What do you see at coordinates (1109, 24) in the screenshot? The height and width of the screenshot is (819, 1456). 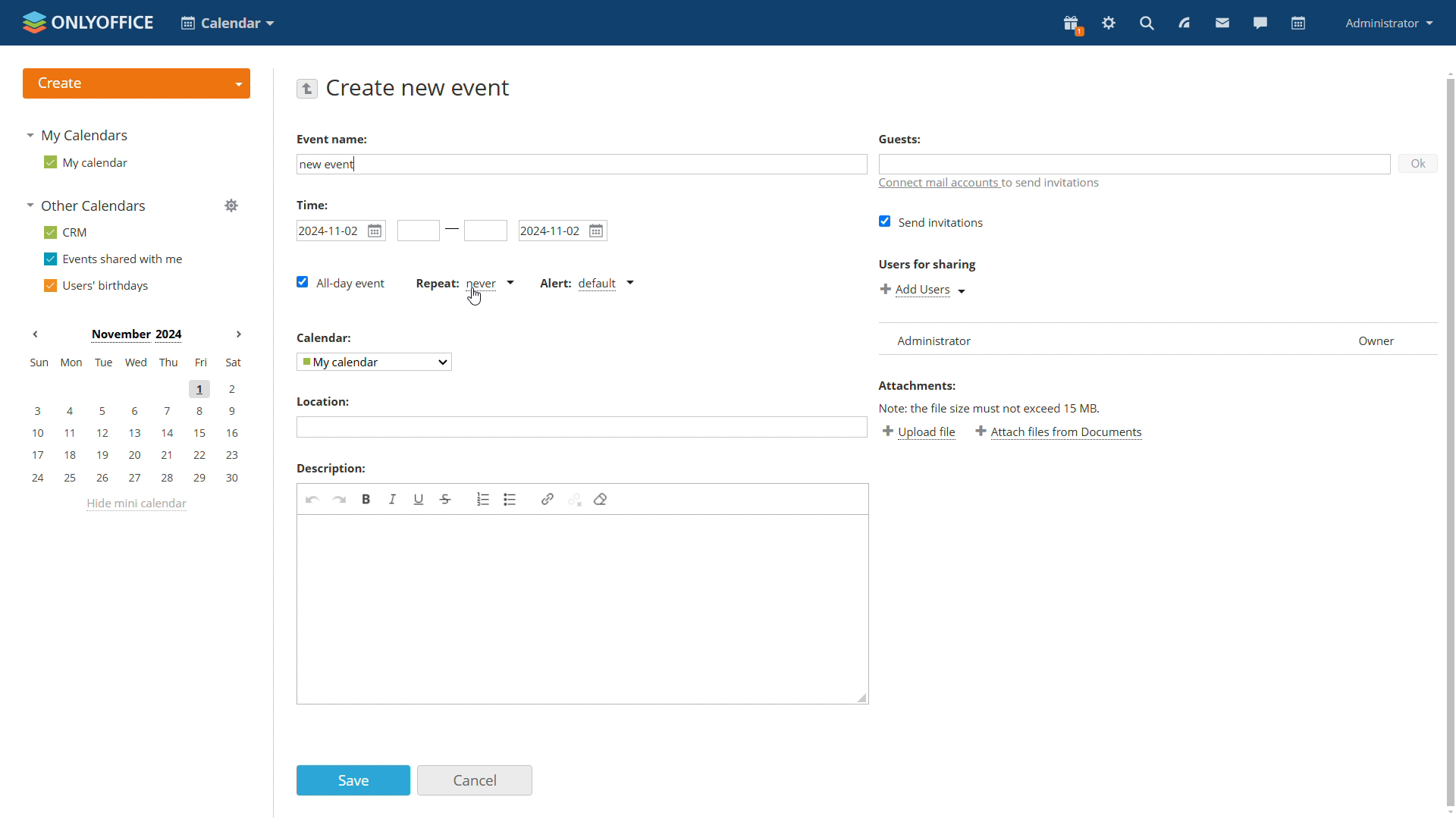 I see `settings` at bounding box center [1109, 24].